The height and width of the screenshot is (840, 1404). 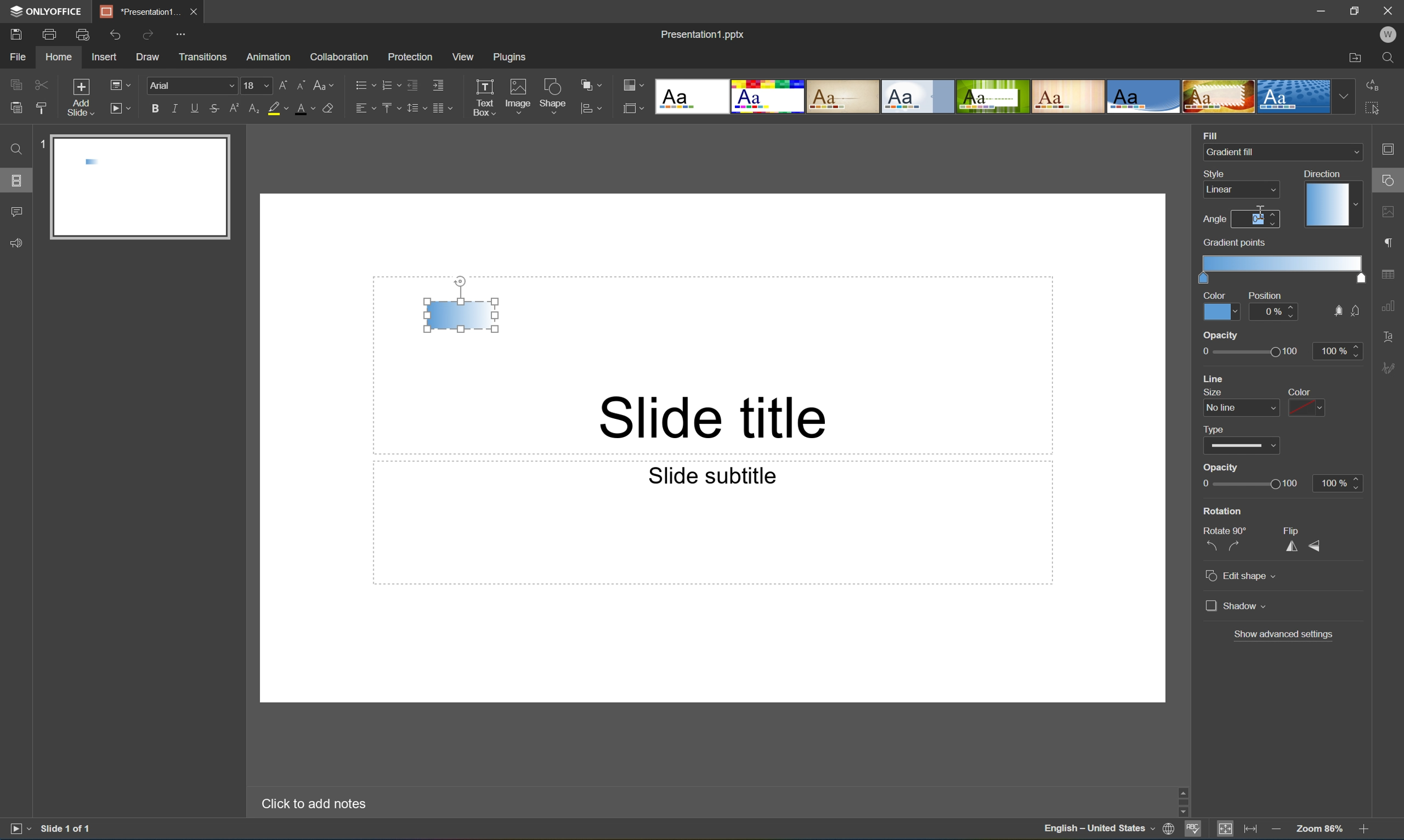 I want to click on Save, so click(x=14, y=33).